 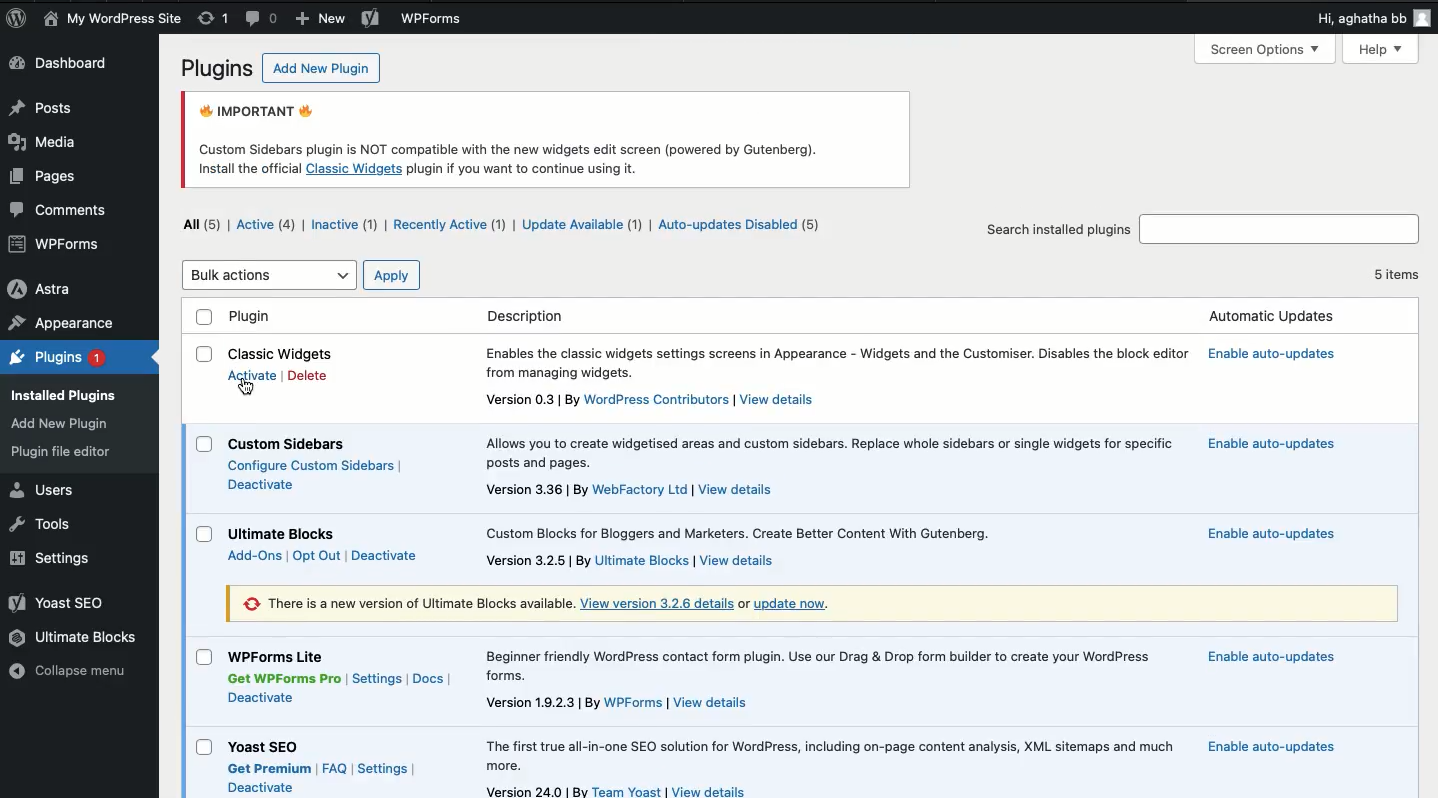 I want to click on Update available , so click(x=583, y=226).